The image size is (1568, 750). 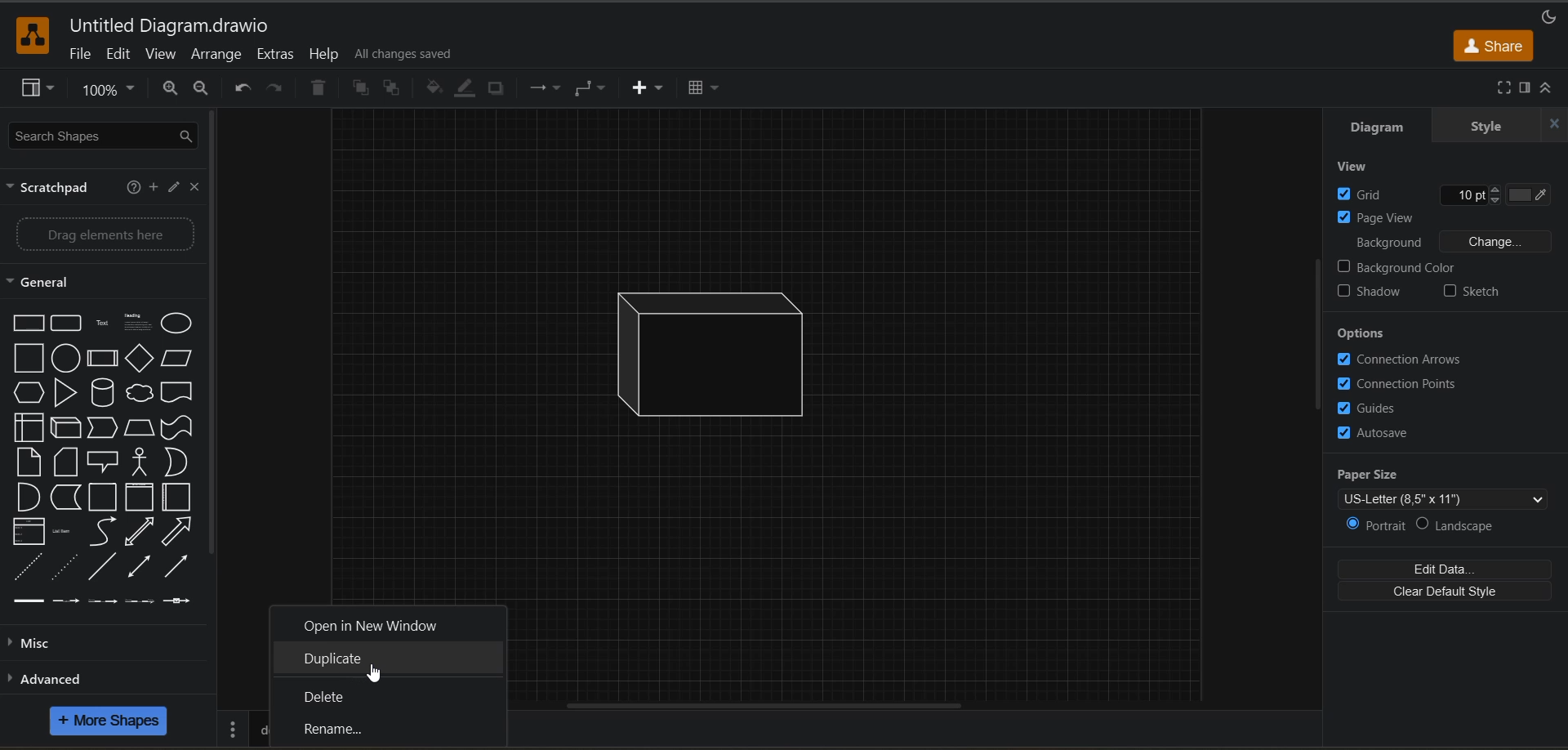 What do you see at coordinates (199, 88) in the screenshot?
I see `zoom in` at bounding box center [199, 88].